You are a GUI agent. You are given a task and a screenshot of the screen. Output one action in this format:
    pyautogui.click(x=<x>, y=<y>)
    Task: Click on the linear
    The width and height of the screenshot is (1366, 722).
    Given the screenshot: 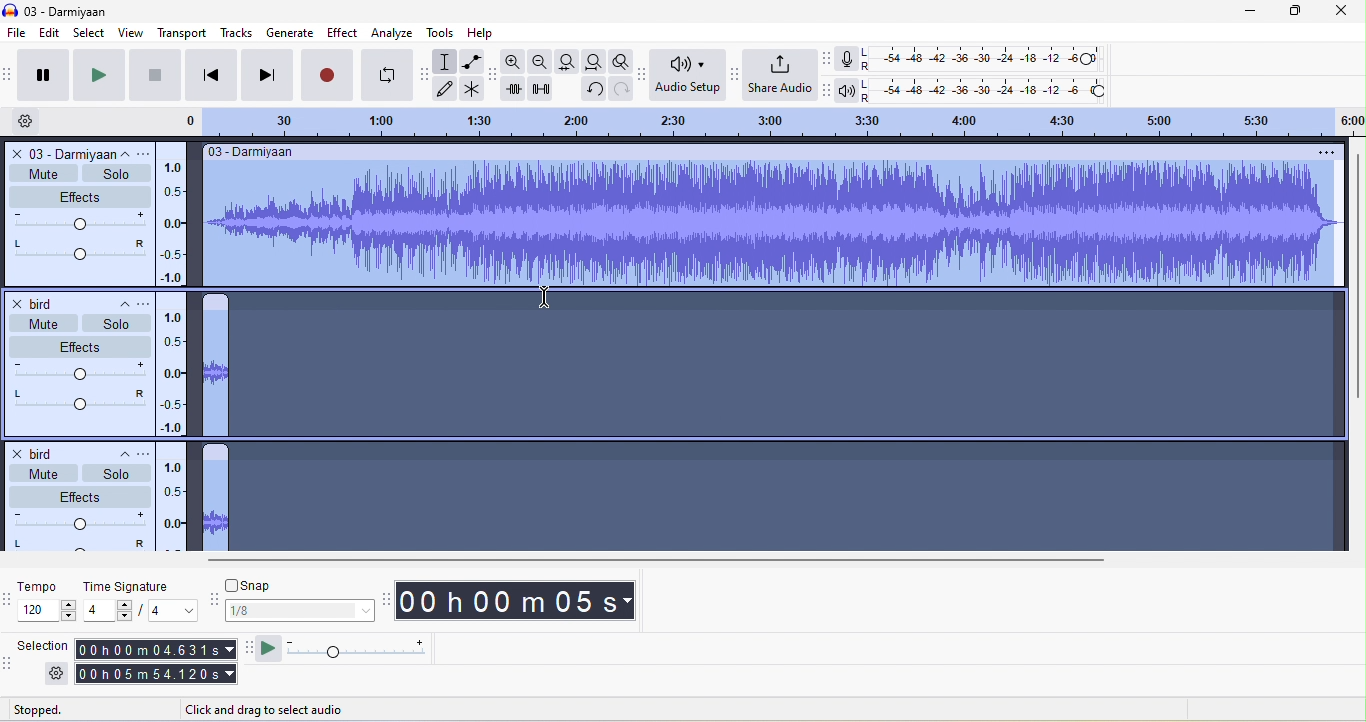 What is the action you would take?
    pyautogui.click(x=175, y=371)
    